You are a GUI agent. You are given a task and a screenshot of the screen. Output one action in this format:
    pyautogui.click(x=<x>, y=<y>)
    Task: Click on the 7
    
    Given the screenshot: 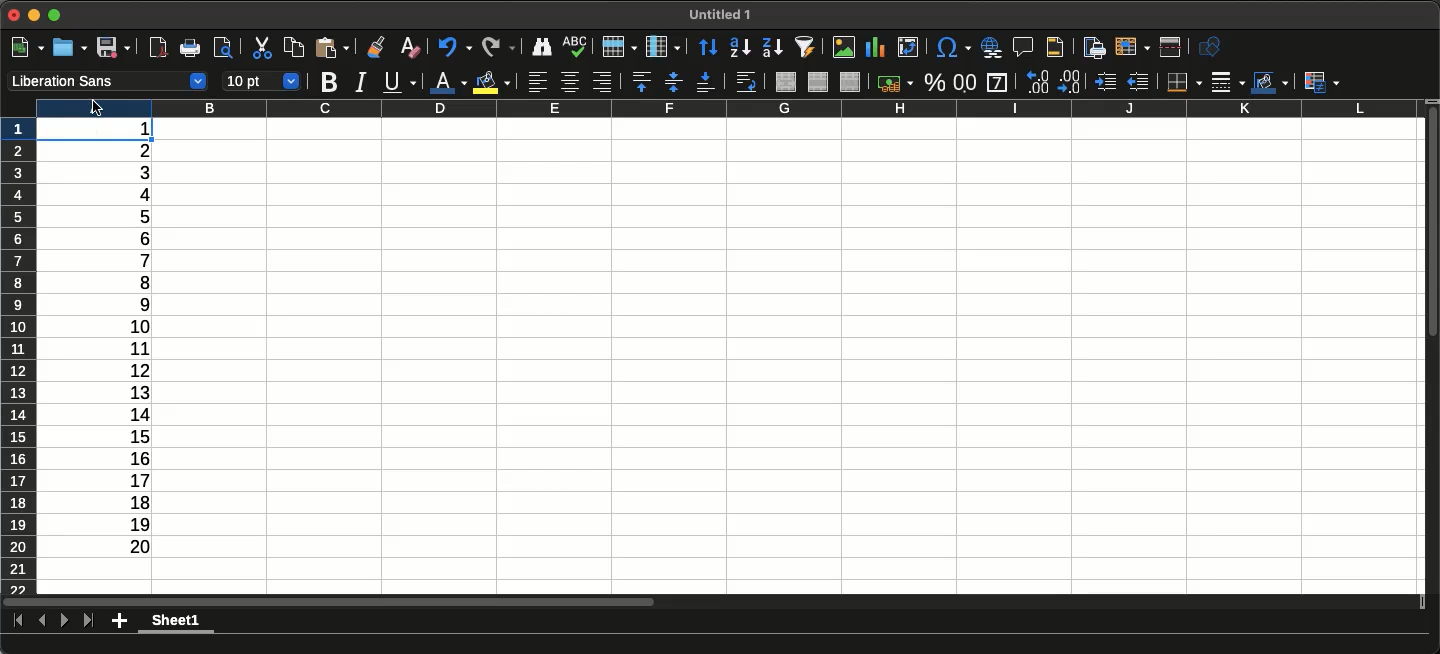 What is the action you would take?
    pyautogui.click(x=131, y=261)
    